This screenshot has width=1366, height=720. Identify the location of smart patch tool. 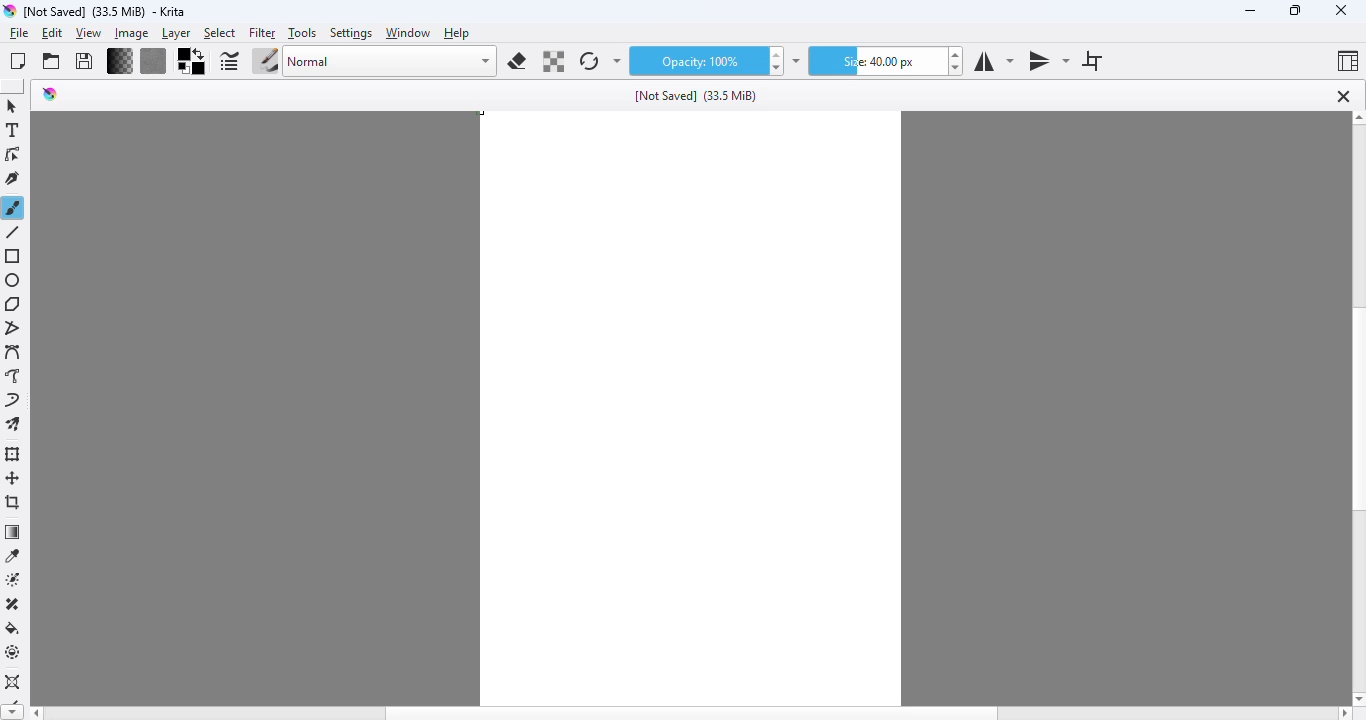
(14, 605).